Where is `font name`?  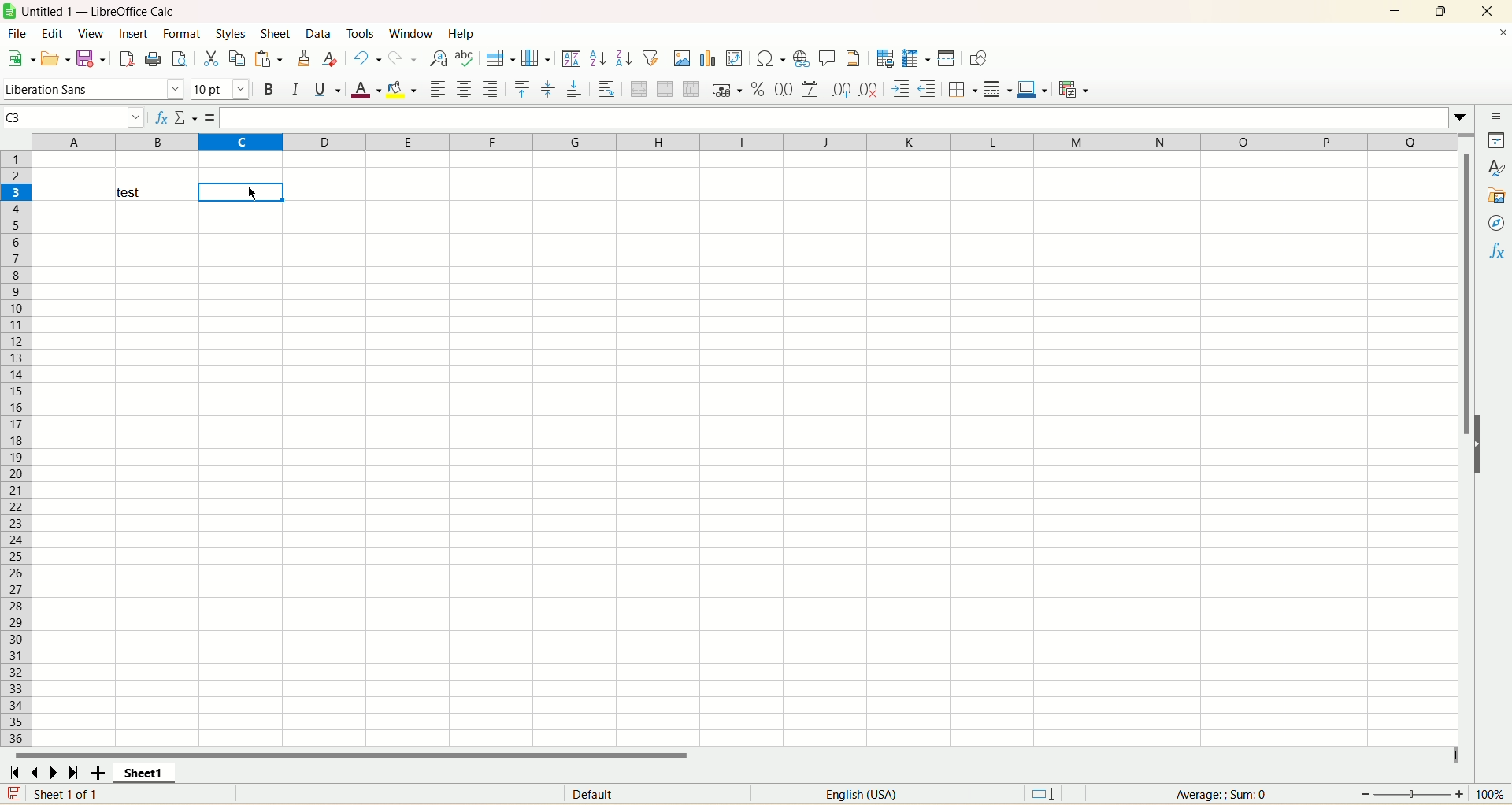
font name is located at coordinates (94, 90).